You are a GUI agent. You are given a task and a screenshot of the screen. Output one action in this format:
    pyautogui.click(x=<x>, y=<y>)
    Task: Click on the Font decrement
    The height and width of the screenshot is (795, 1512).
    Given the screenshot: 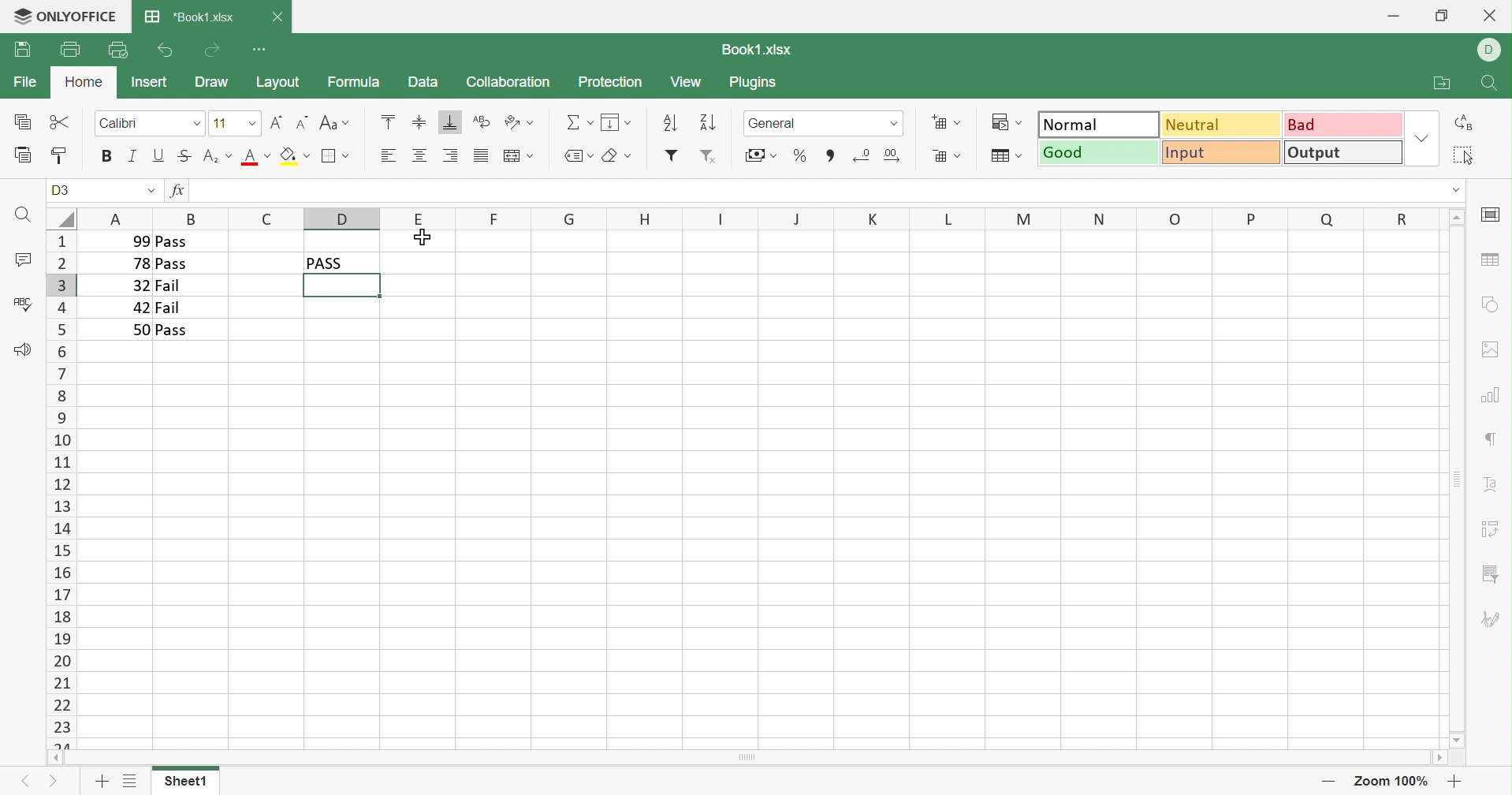 What is the action you would take?
    pyautogui.click(x=304, y=121)
    